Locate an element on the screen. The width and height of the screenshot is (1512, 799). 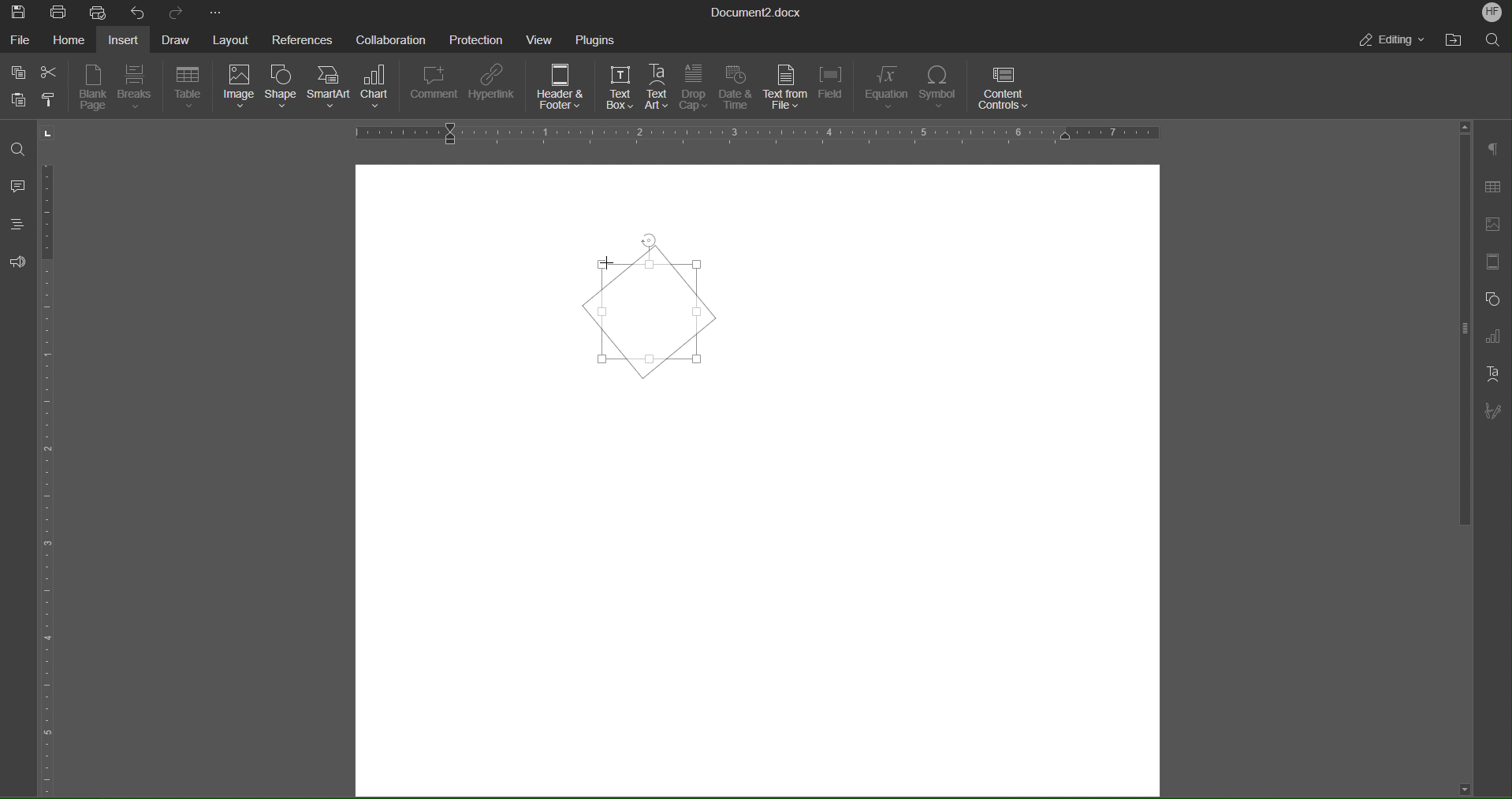
Undo is located at coordinates (136, 12).